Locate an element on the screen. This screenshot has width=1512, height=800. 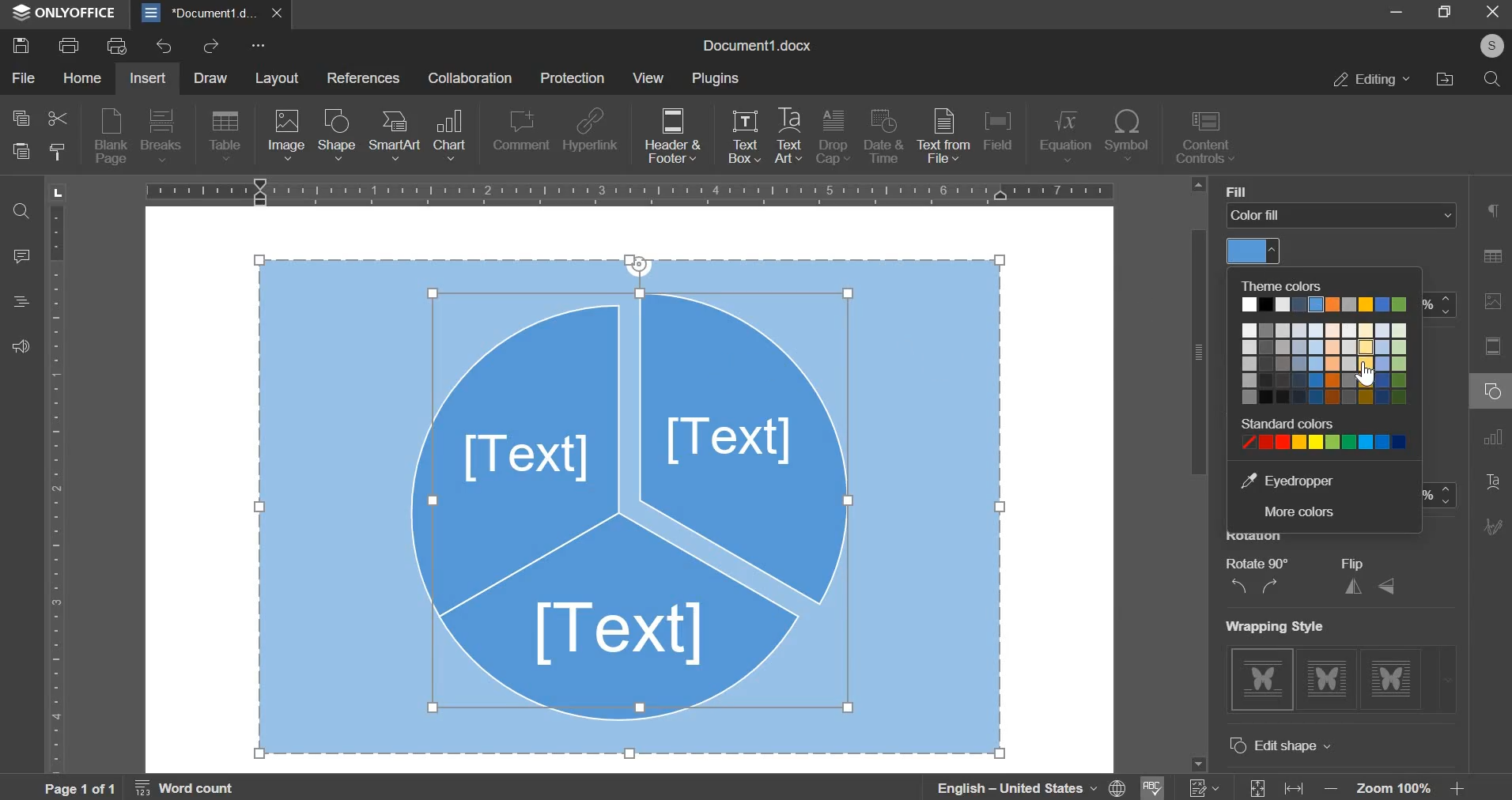
home is located at coordinates (81, 80).